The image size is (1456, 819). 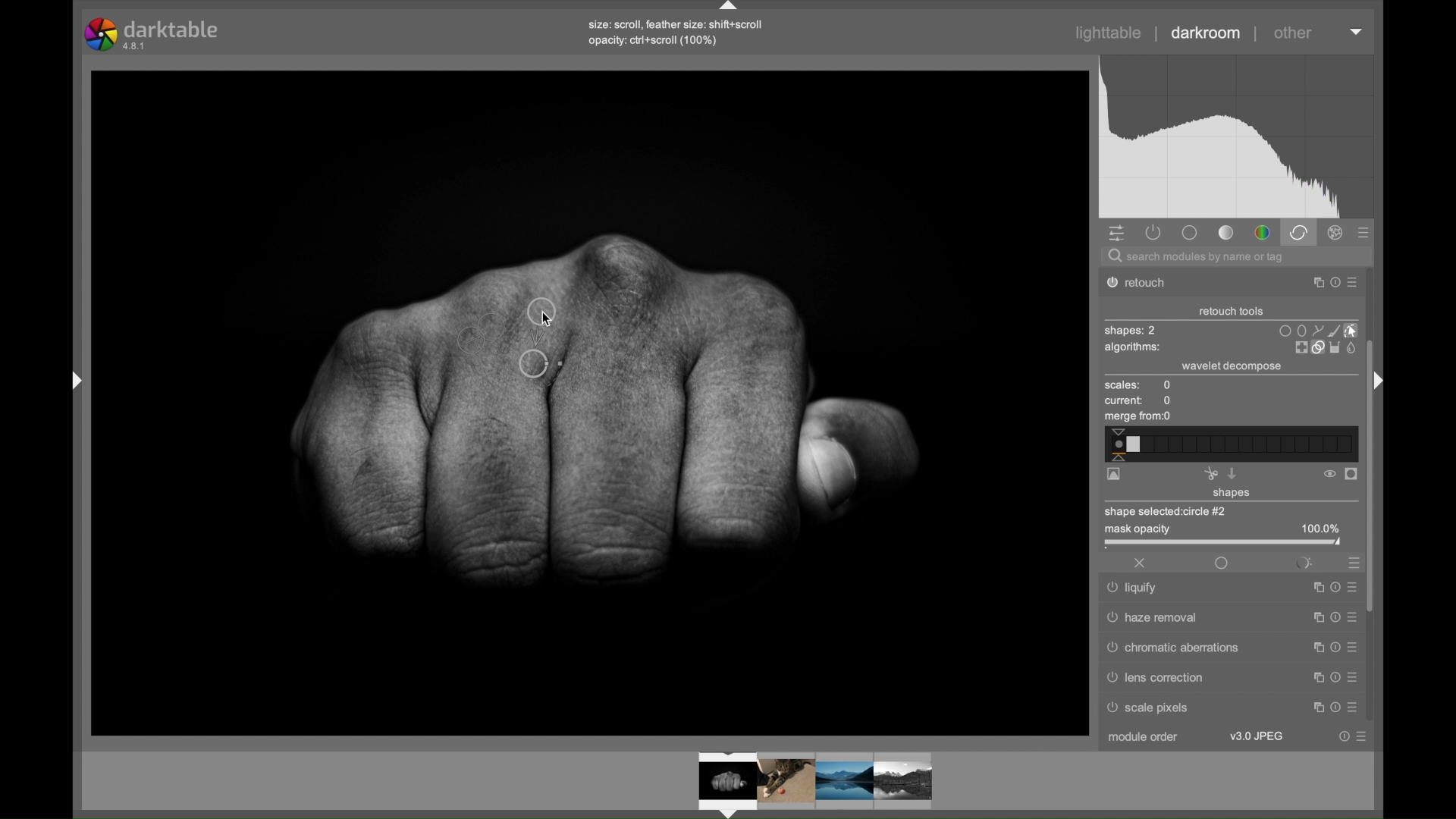 What do you see at coordinates (1319, 330) in the screenshot?
I see `draw mask options` at bounding box center [1319, 330].